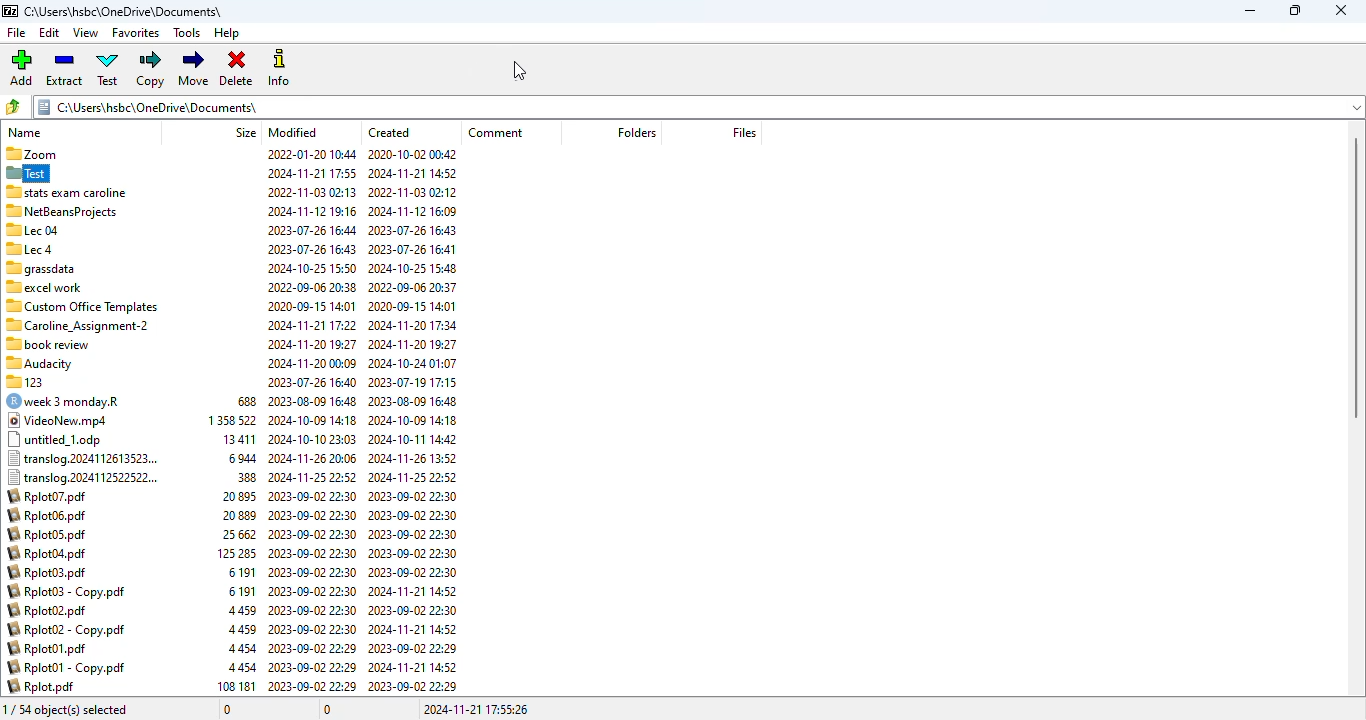 The image size is (1366, 720). I want to click on 2024-11-26 20:06, so click(314, 458).